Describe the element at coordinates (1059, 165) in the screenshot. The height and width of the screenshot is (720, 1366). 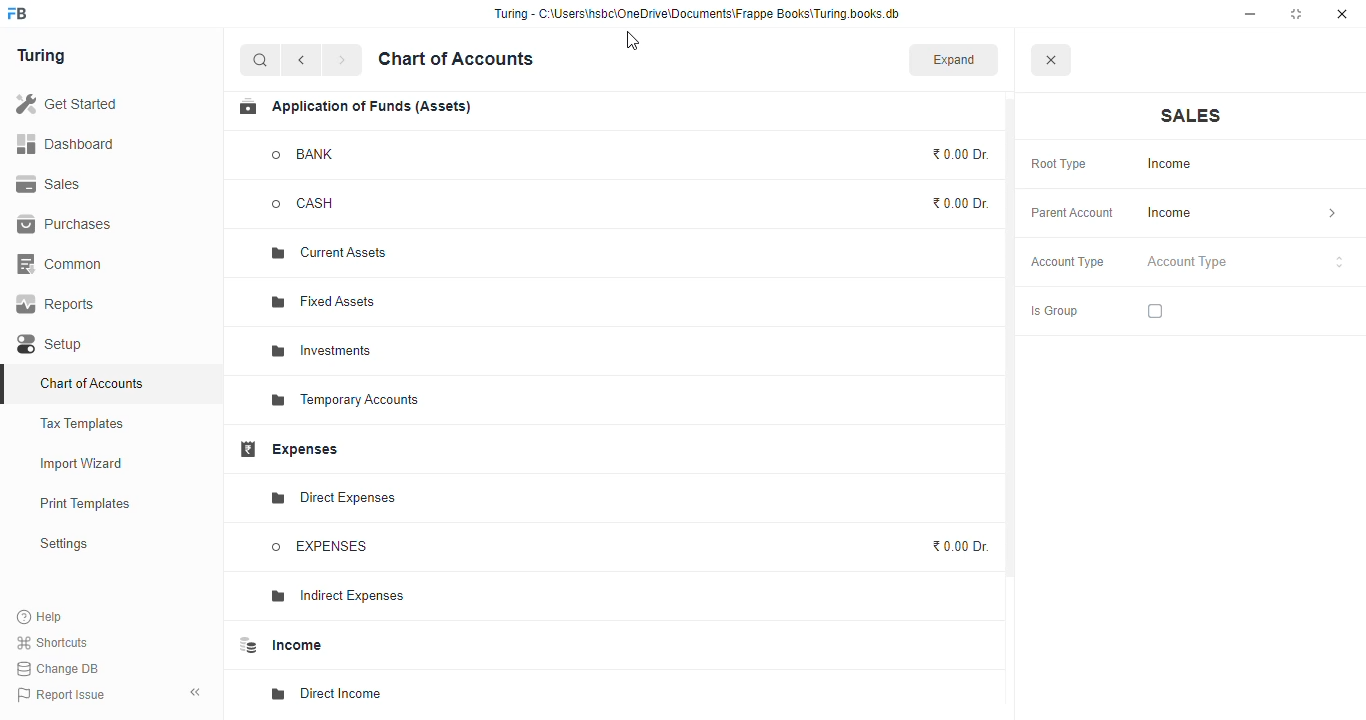
I see `root type` at that location.